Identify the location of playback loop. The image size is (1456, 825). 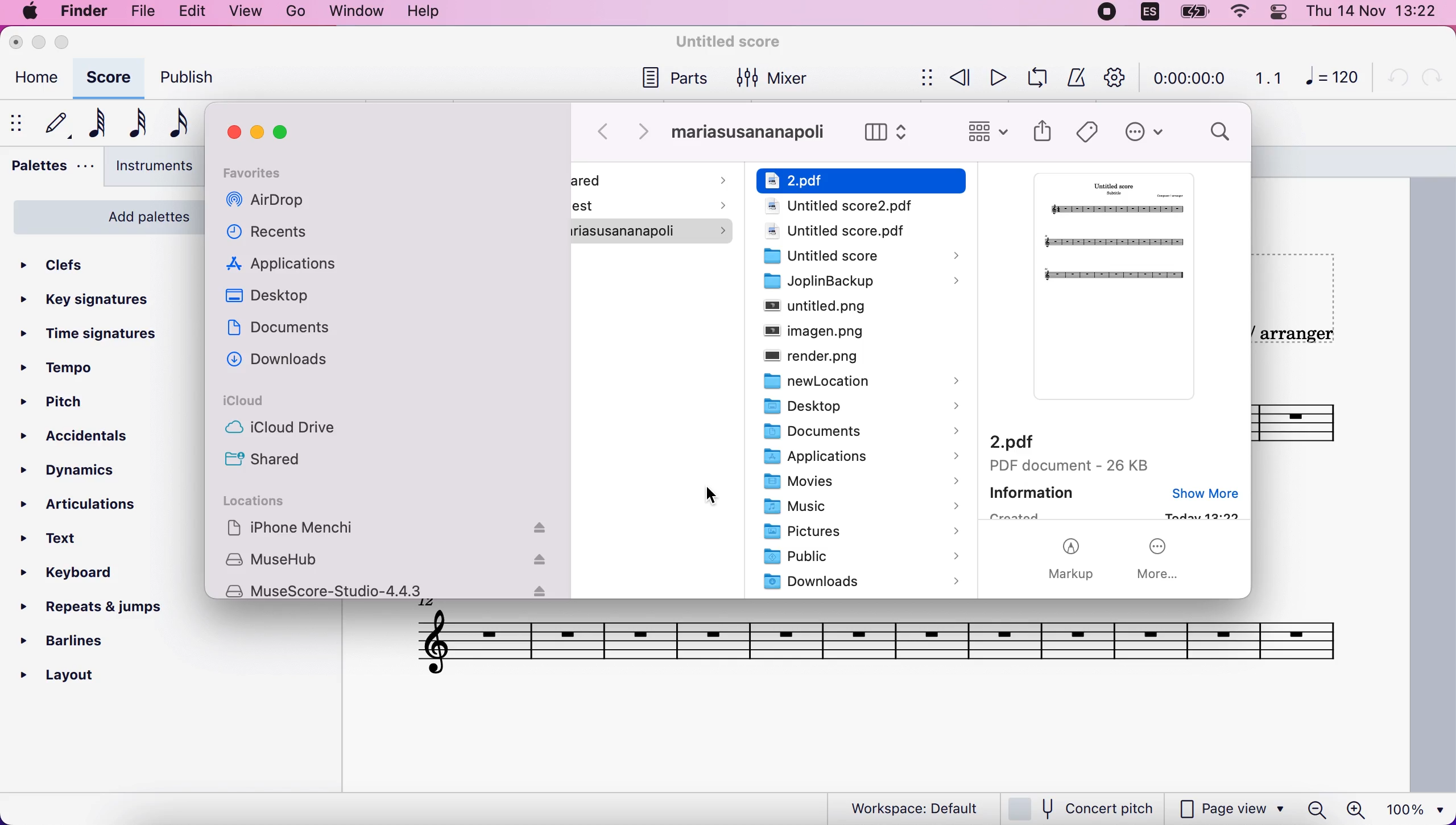
(1034, 79).